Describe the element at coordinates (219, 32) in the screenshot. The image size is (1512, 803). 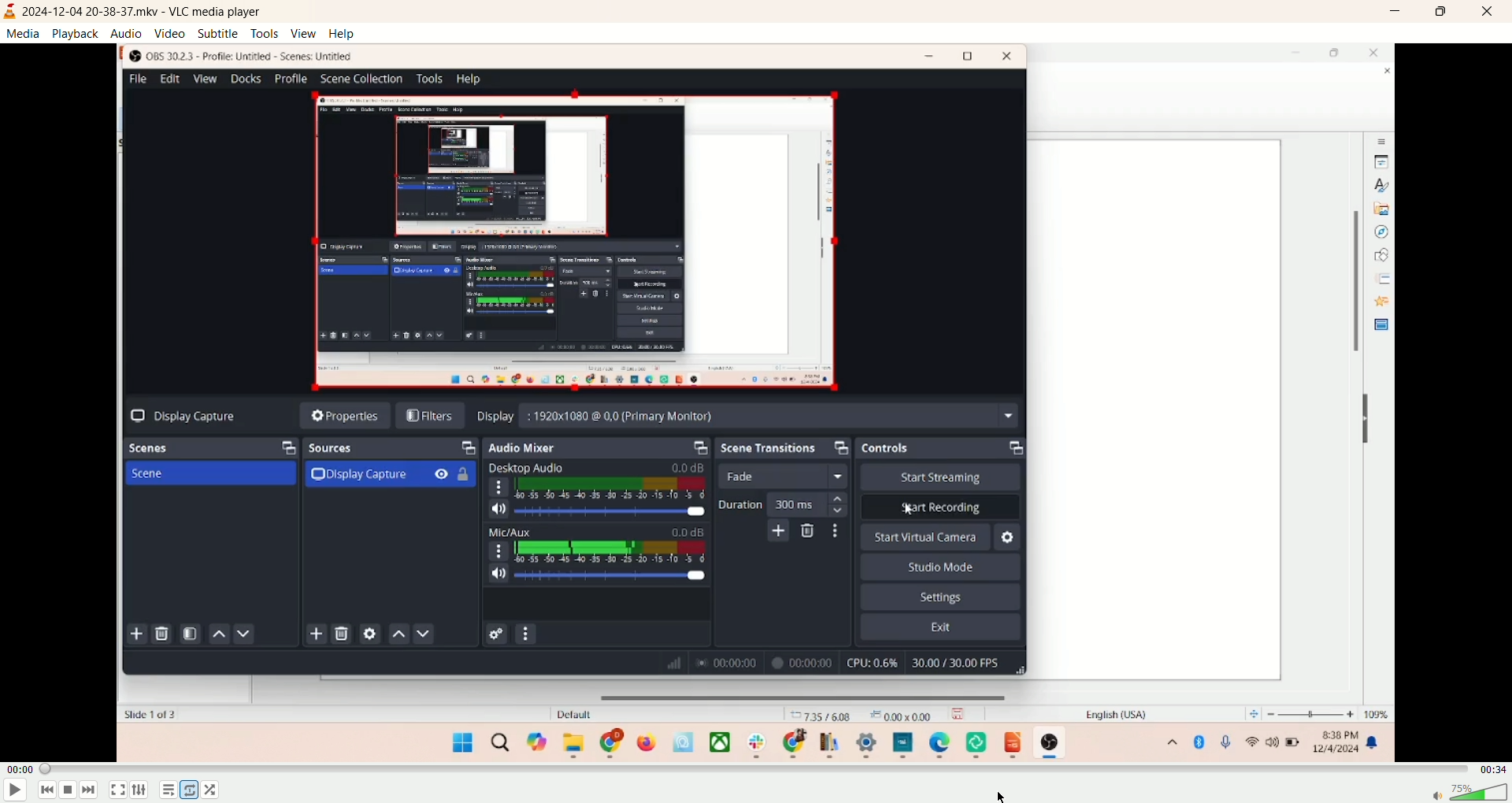
I see `subtitle` at that location.